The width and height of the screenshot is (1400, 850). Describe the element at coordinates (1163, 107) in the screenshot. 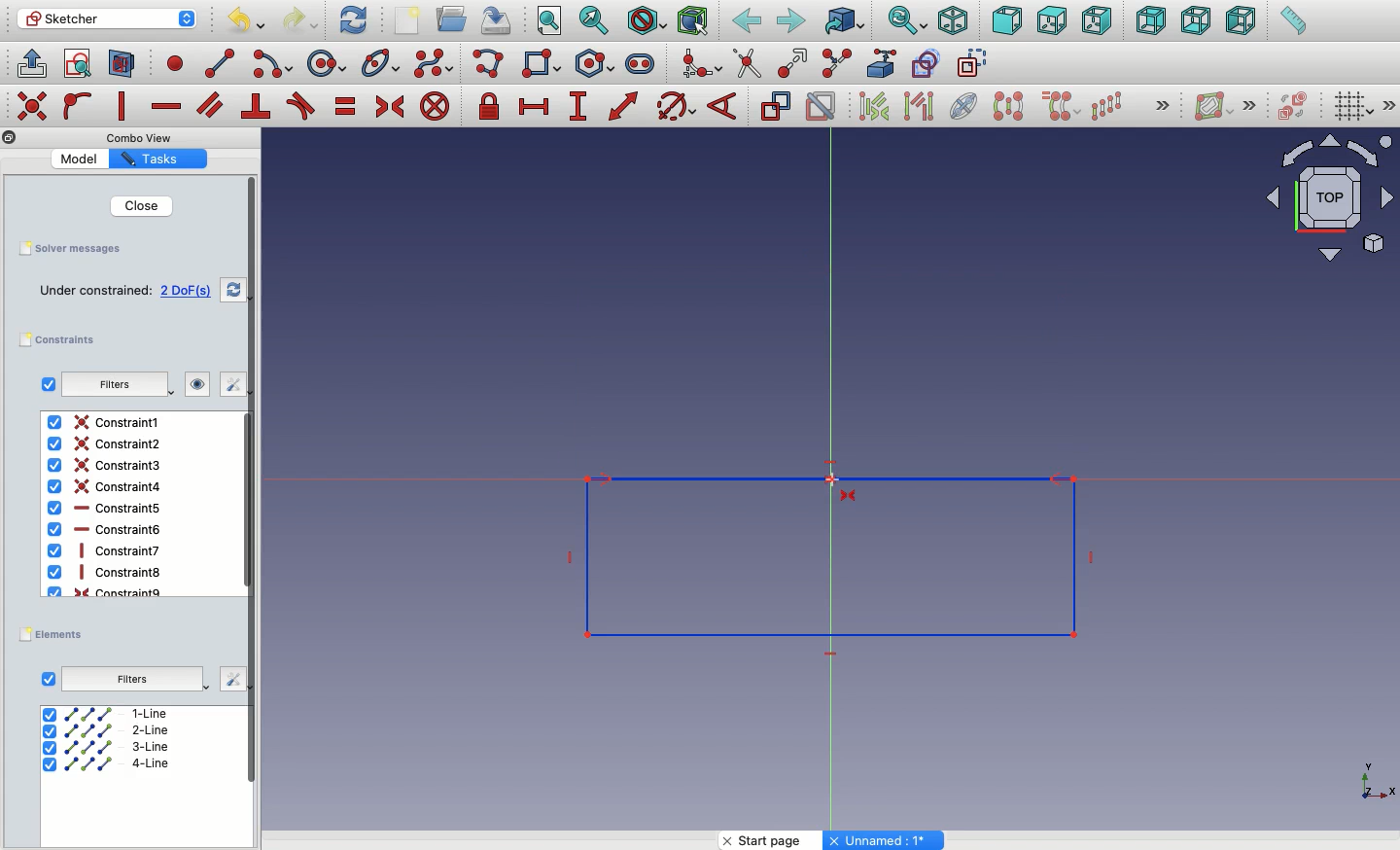

I see `Expand` at that location.